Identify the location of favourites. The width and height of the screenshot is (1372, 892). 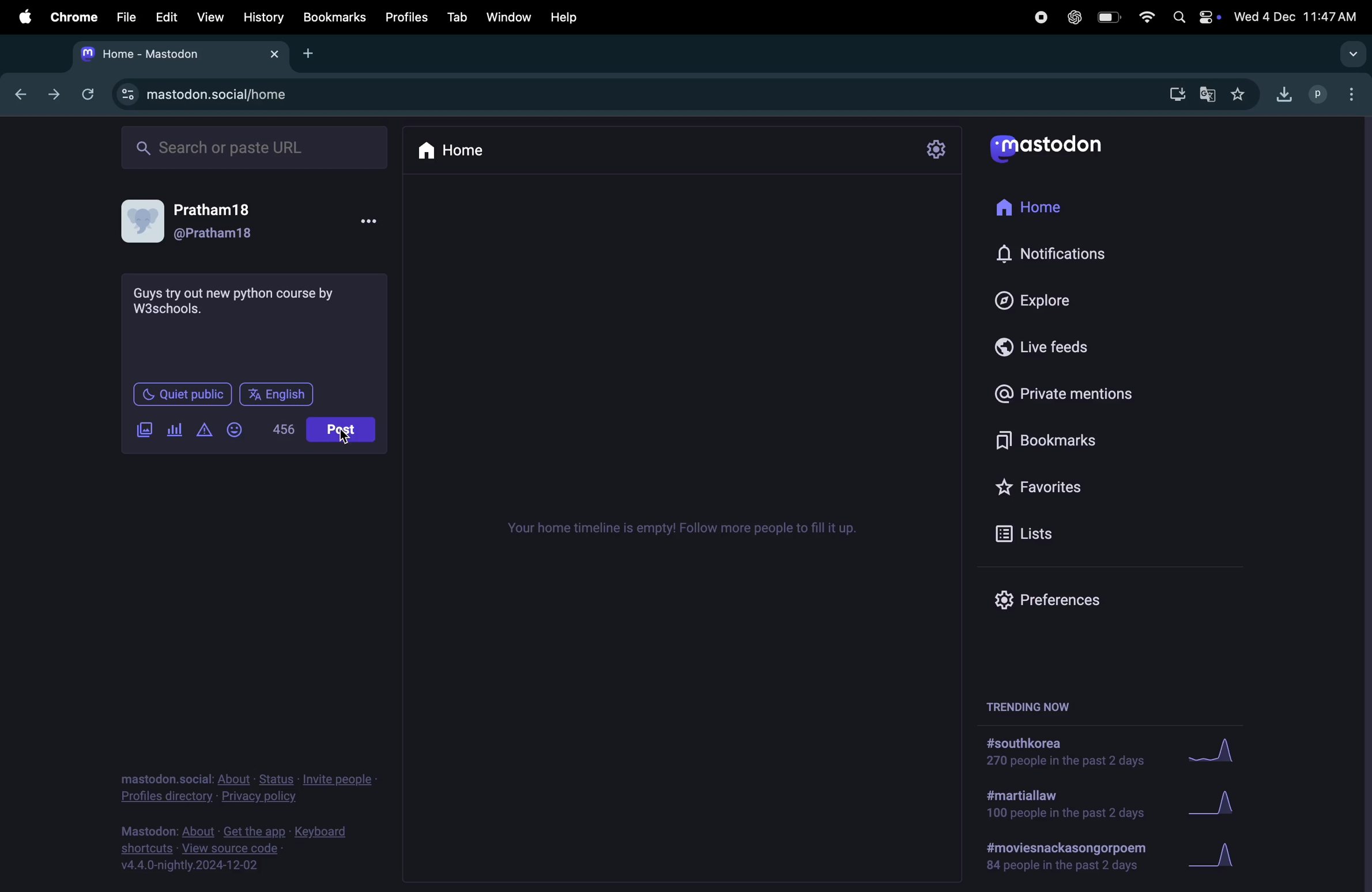
(1073, 483).